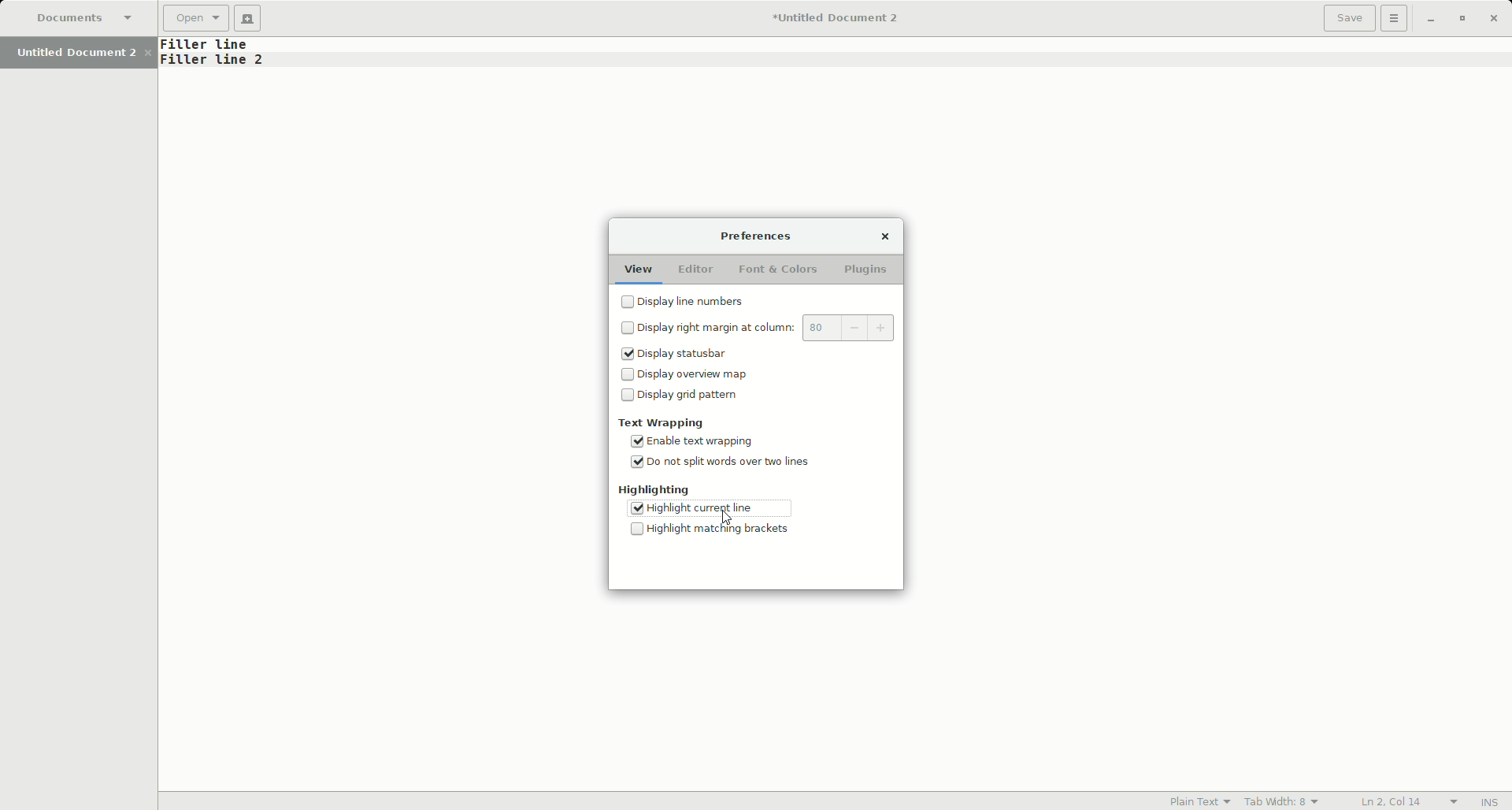 The image size is (1512, 810). What do you see at coordinates (828, 20) in the screenshot?
I see `Untitled Document 2` at bounding box center [828, 20].